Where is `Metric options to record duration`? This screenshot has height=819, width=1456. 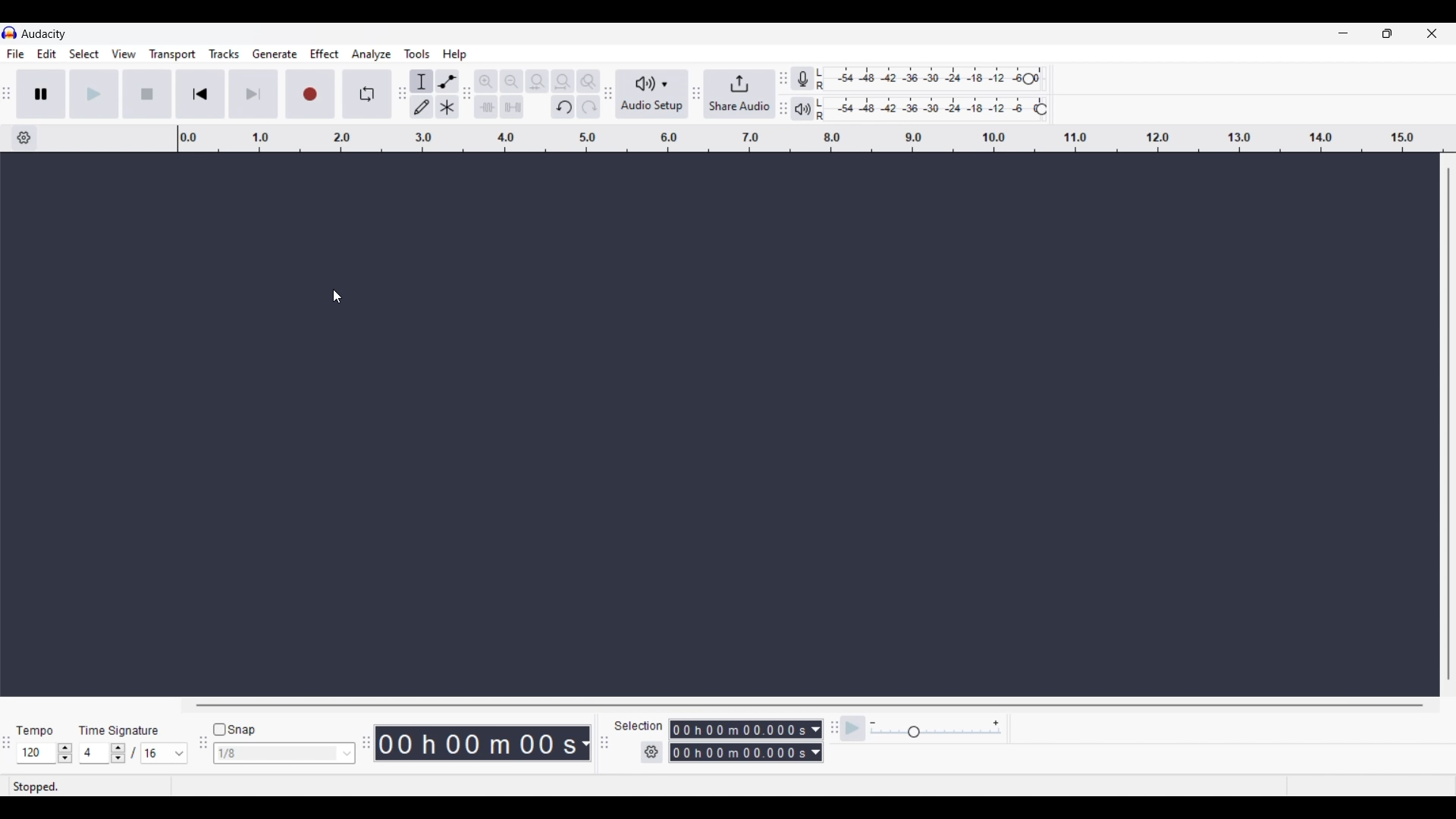
Metric options to record duration is located at coordinates (814, 742).